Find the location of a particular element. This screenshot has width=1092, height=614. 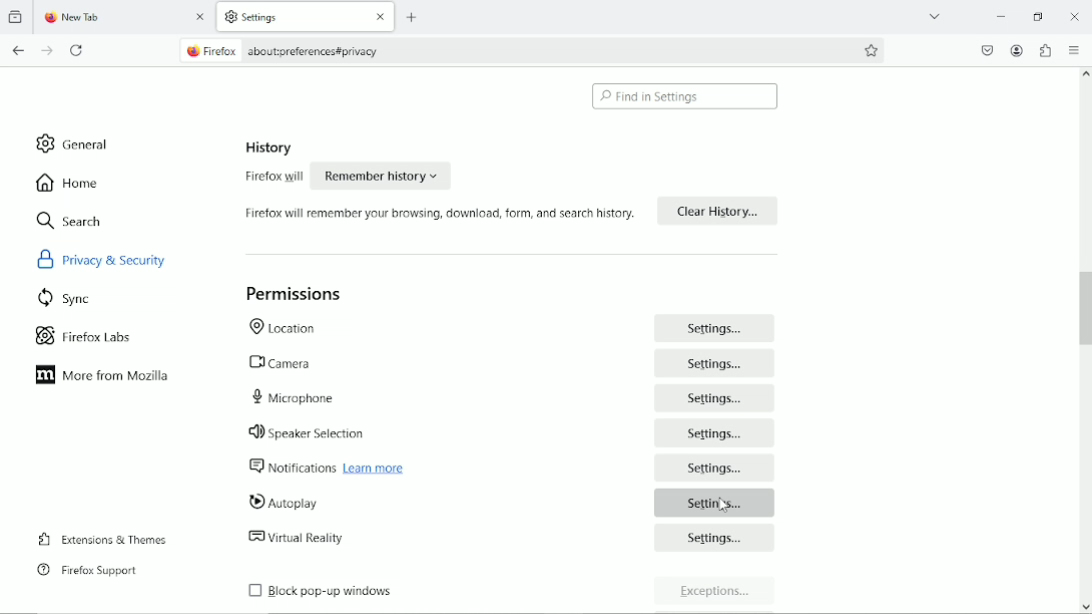

Open application menu is located at coordinates (1077, 48).